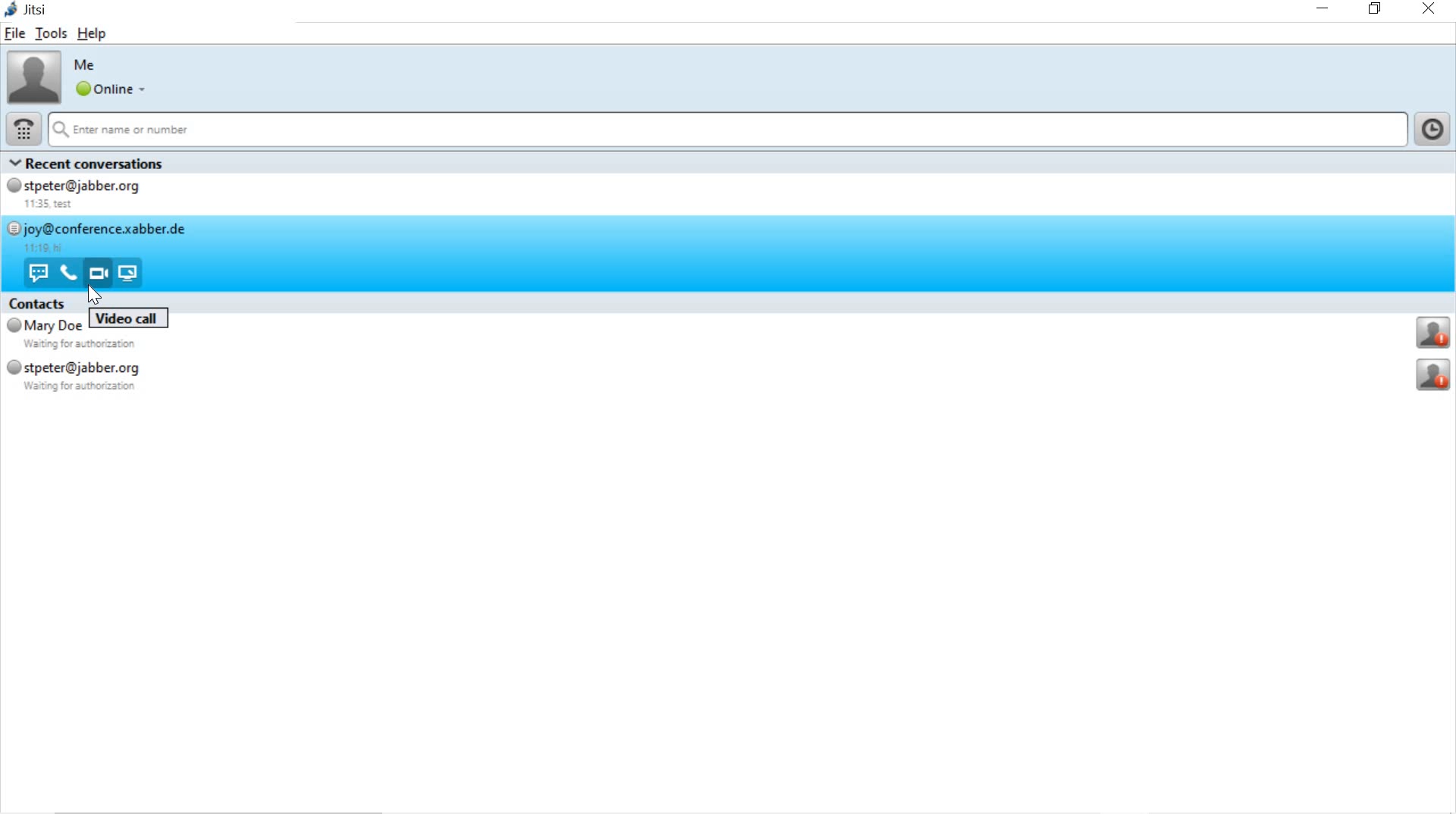  Describe the element at coordinates (95, 296) in the screenshot. I see `cursor` at that location.